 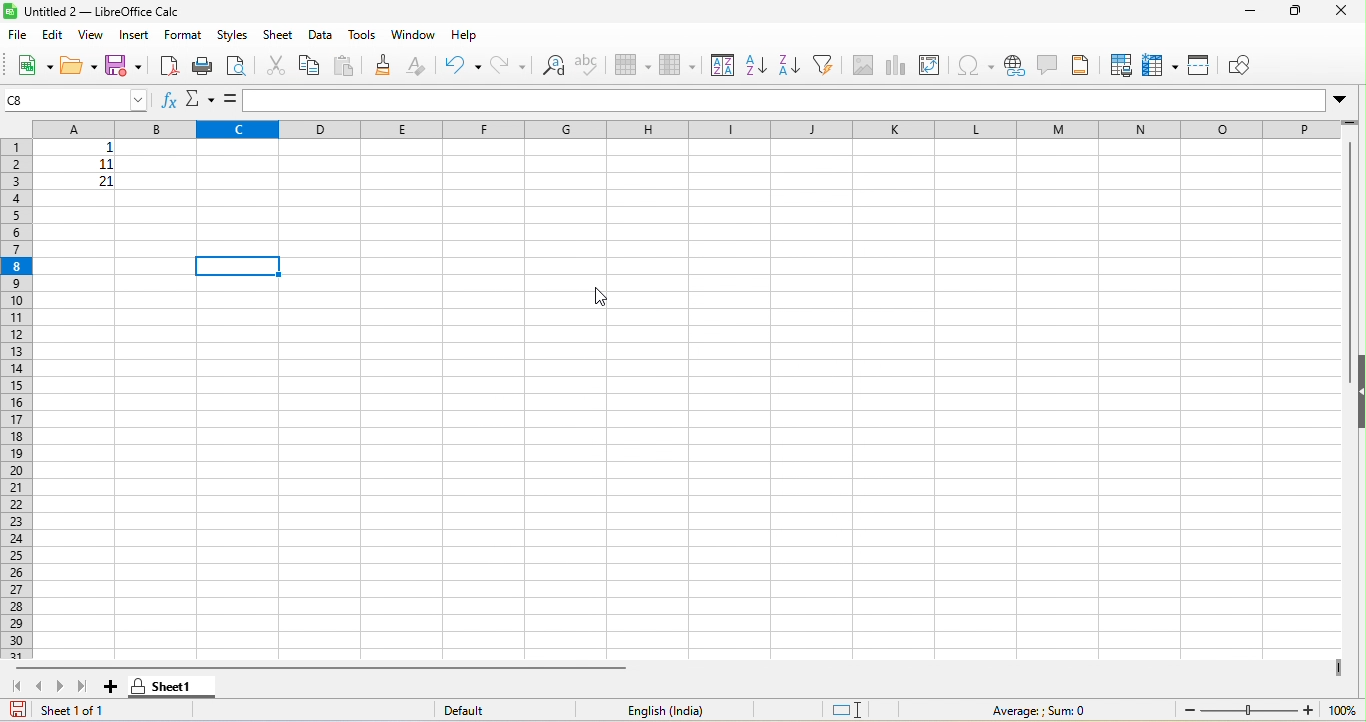 What do you see at coordinates (85, 686) in the screenshot?
I see `last sheet` at bounding box center [85, 686].